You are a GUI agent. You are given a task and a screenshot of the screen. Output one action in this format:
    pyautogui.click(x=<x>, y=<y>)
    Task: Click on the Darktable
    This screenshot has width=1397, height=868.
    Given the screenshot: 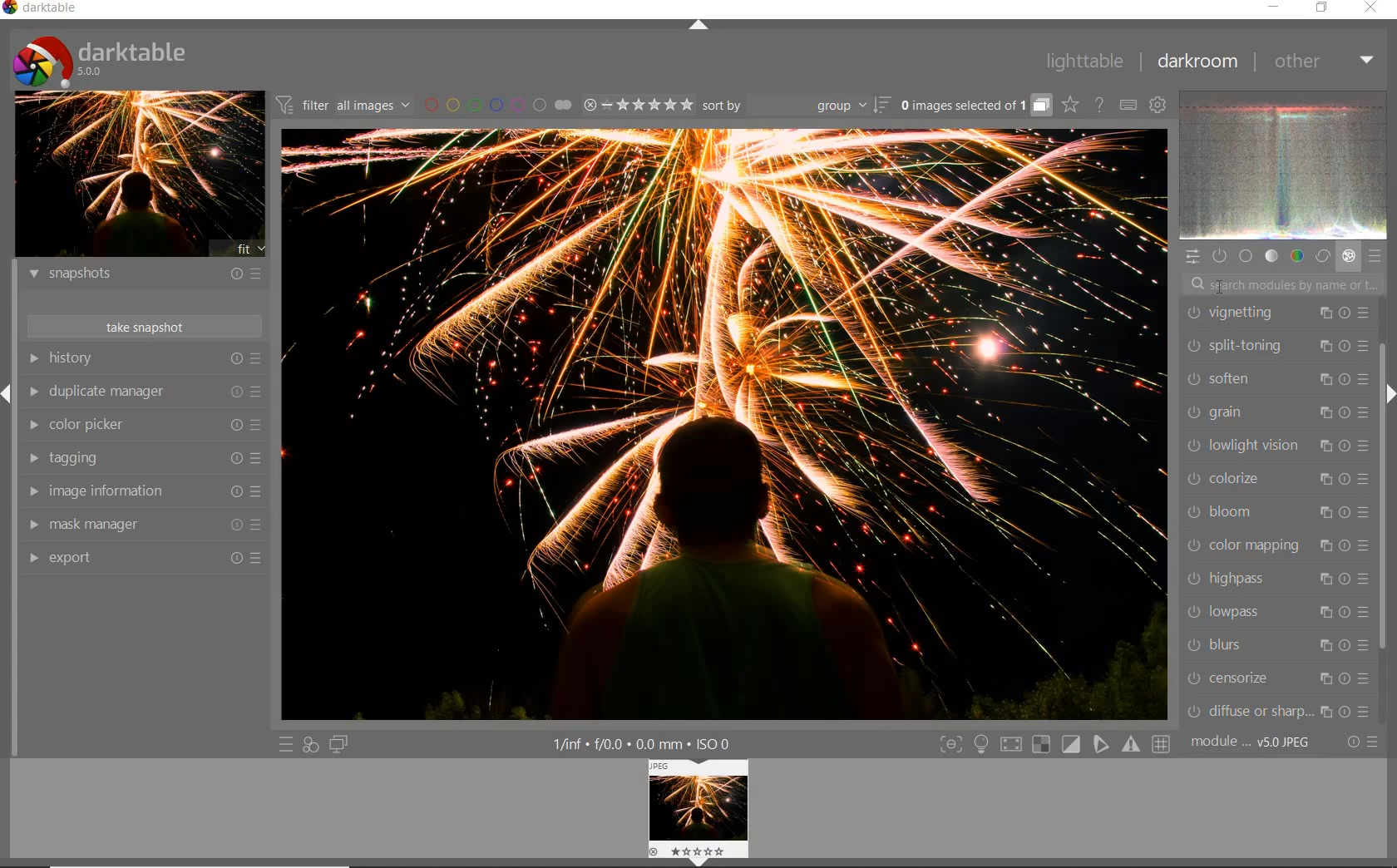 What is the action you would take?
    pyautogui.click(x=42, y=9)
    